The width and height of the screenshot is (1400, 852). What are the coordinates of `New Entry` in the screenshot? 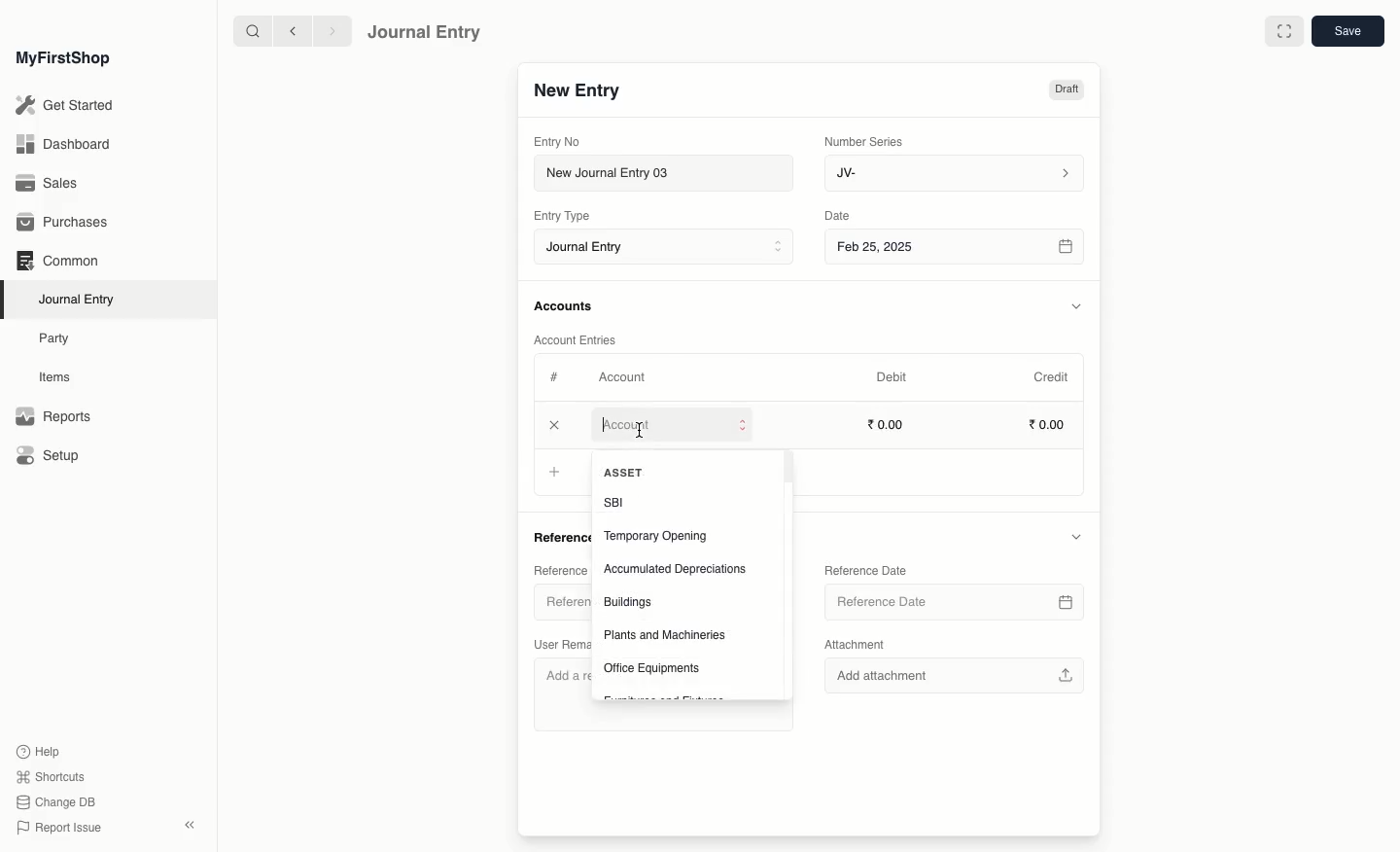 It's located at (577, 91).